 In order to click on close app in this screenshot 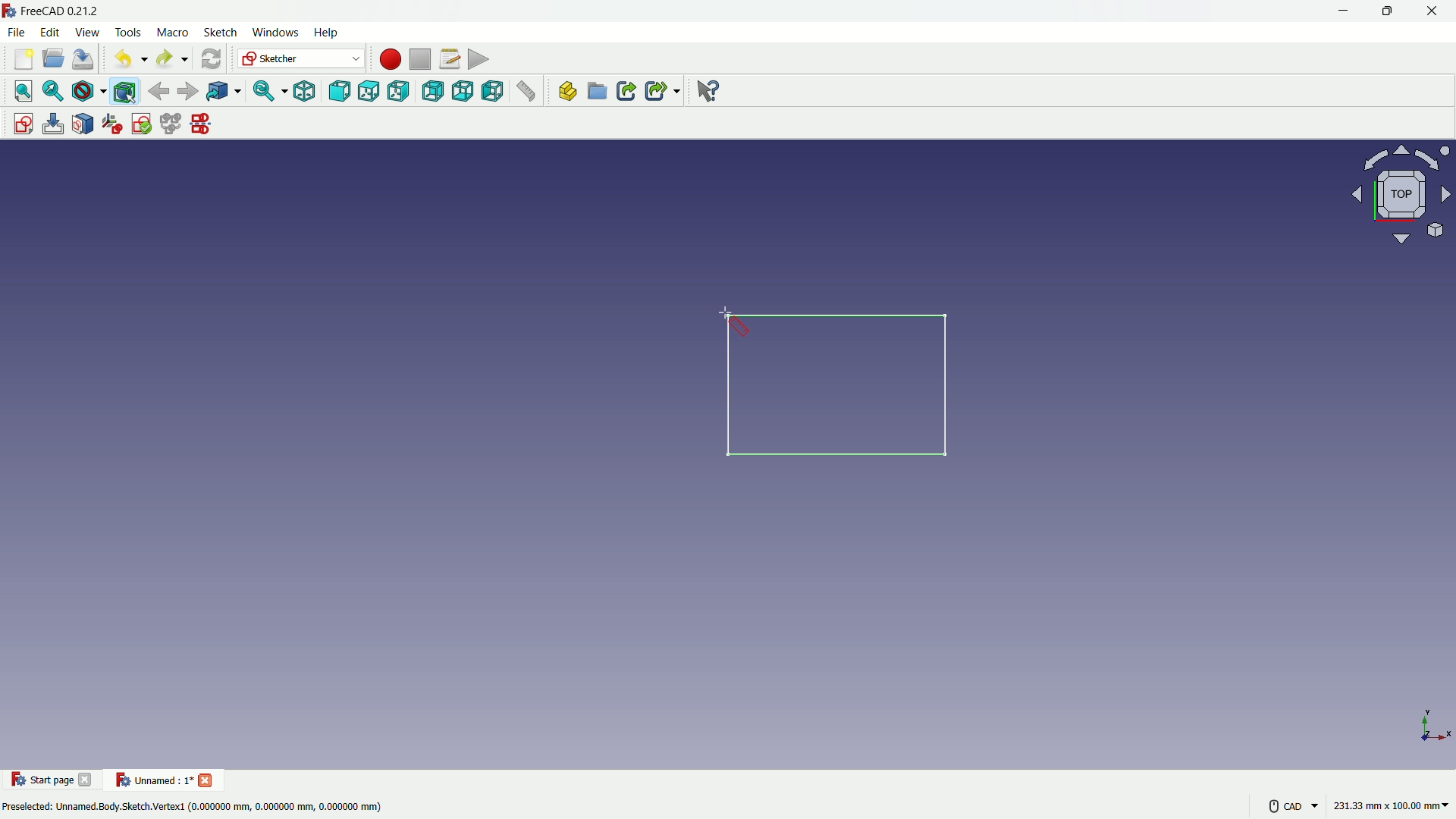, I will do `click(1436, 11)`.